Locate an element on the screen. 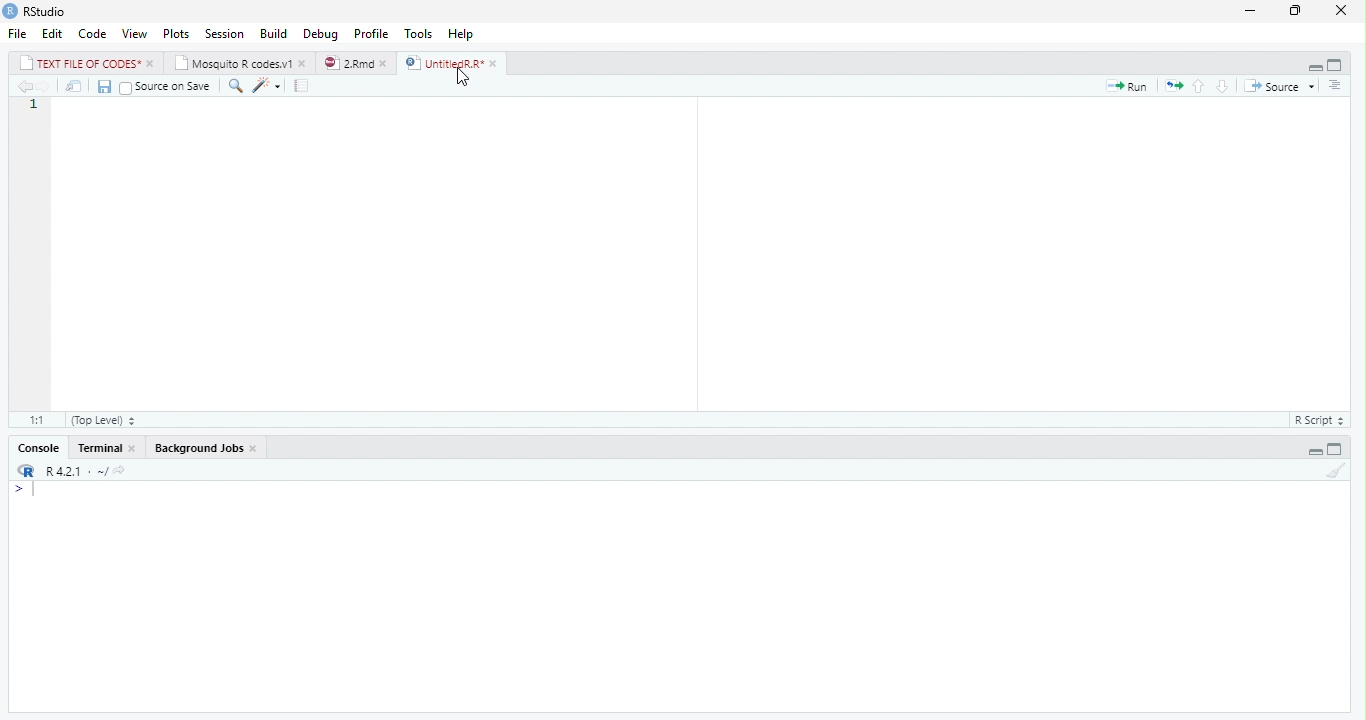 The image size is (1366, 720). Mouse Cursor is located at coordinates (463, 78).